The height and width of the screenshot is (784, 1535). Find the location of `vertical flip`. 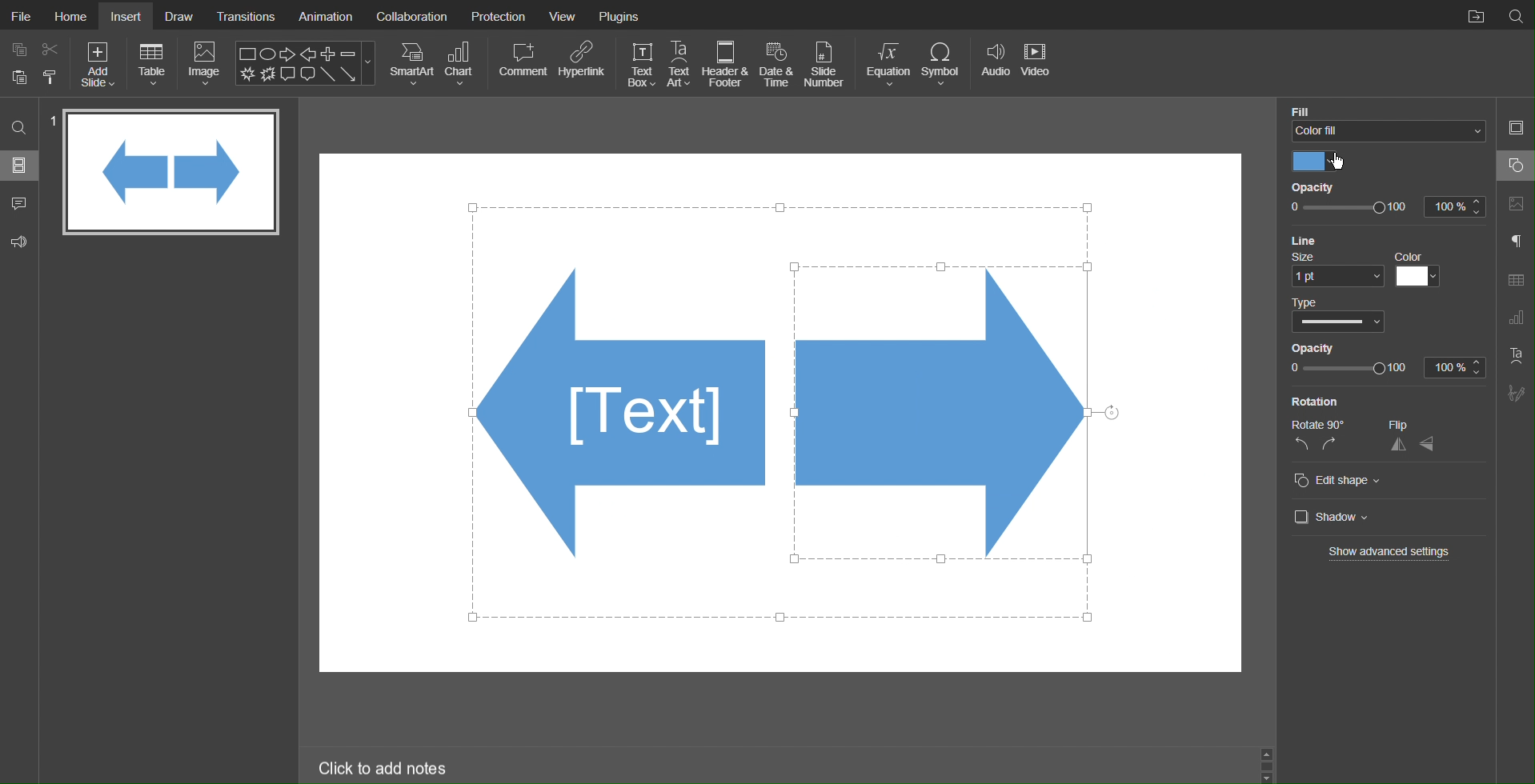

vertical flip is located at coordinates (1429, 443).